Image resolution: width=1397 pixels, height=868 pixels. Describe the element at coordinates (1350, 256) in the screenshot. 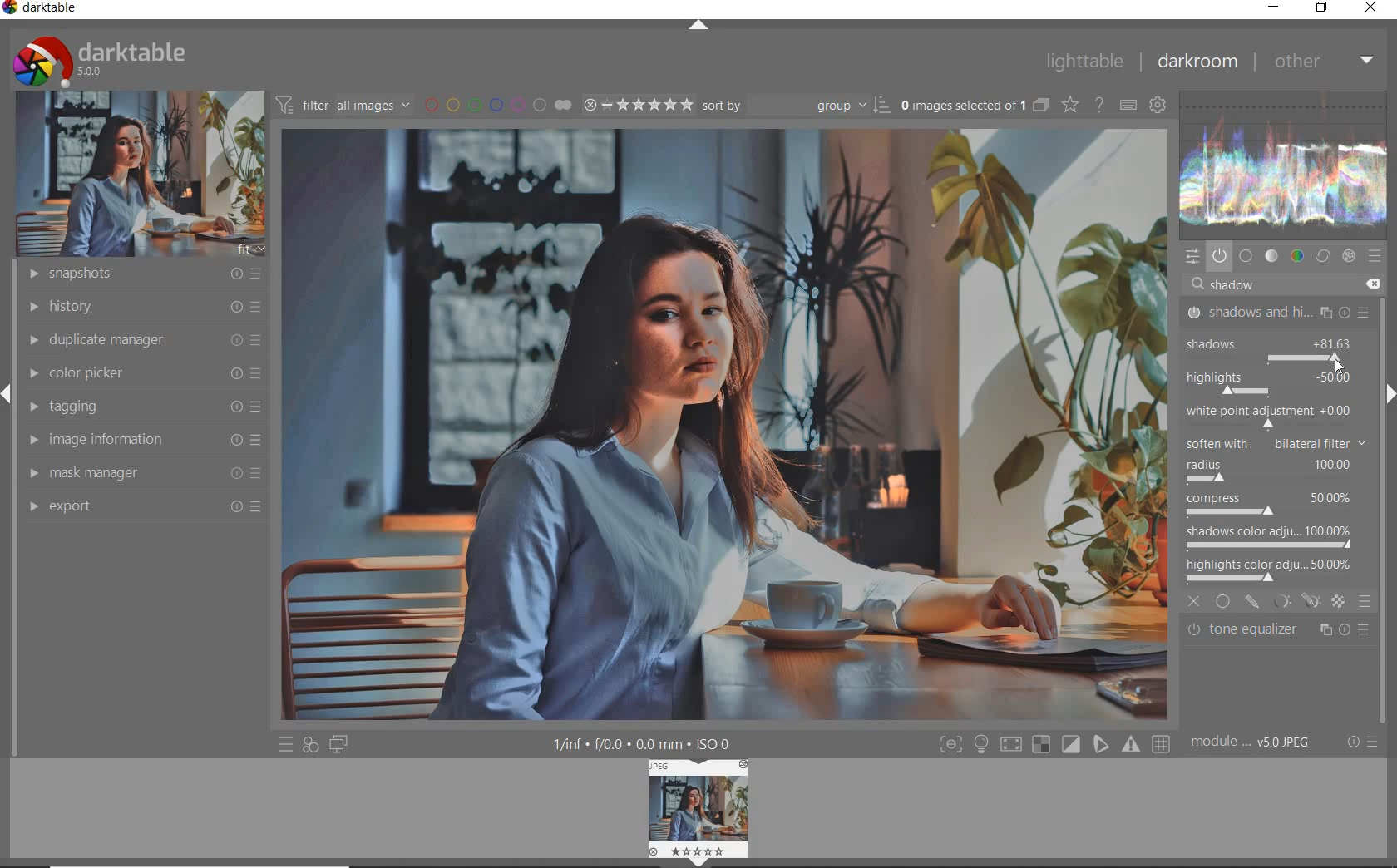

I see `effect` at that location.